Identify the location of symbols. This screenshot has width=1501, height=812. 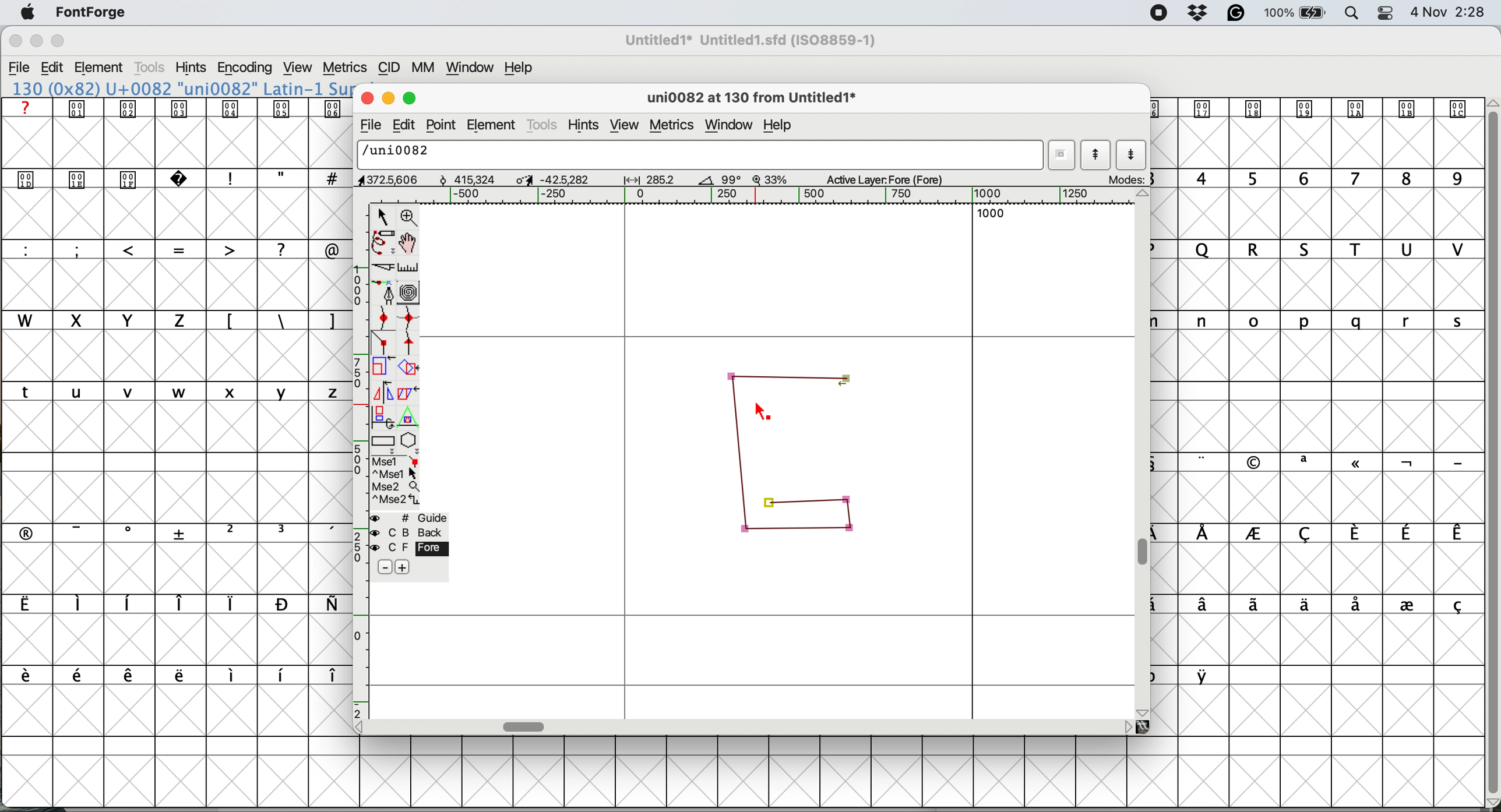
(185, 532).